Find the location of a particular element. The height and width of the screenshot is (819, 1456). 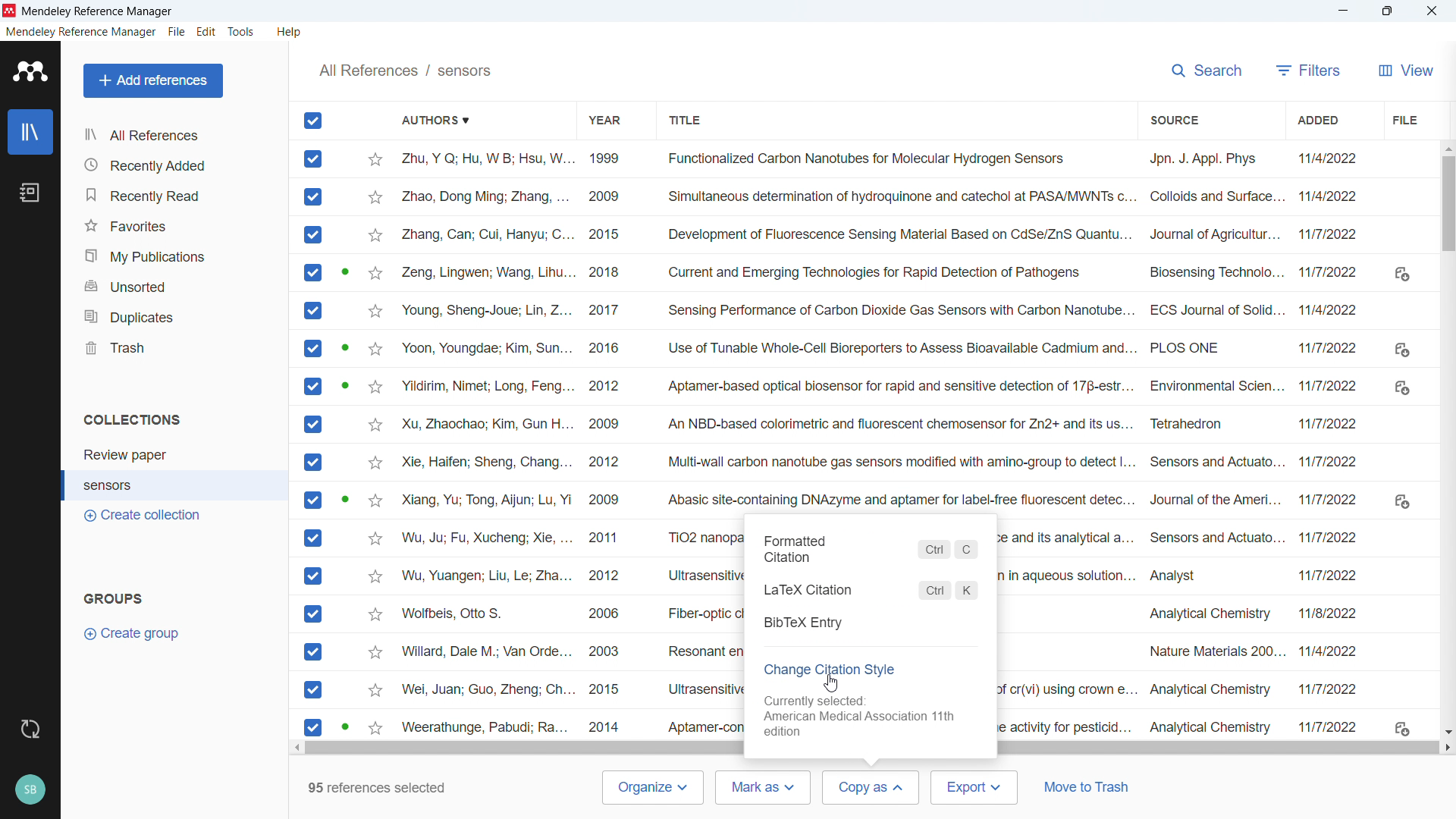

logo is located at coordinates (31, 71).